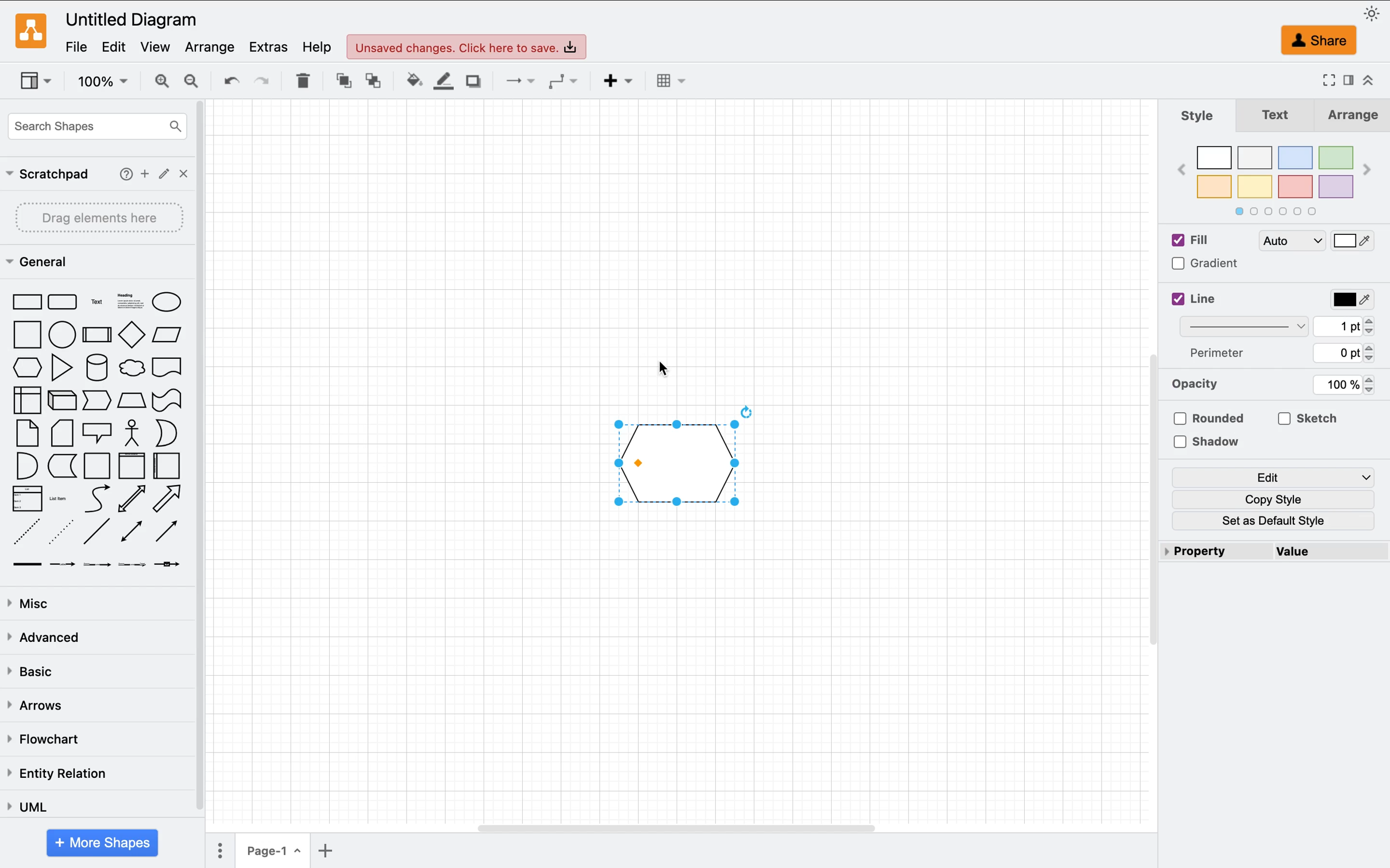 The width and height of the screenshot is (1390, 868). I want to click on Opacity, so click(1202, 386).